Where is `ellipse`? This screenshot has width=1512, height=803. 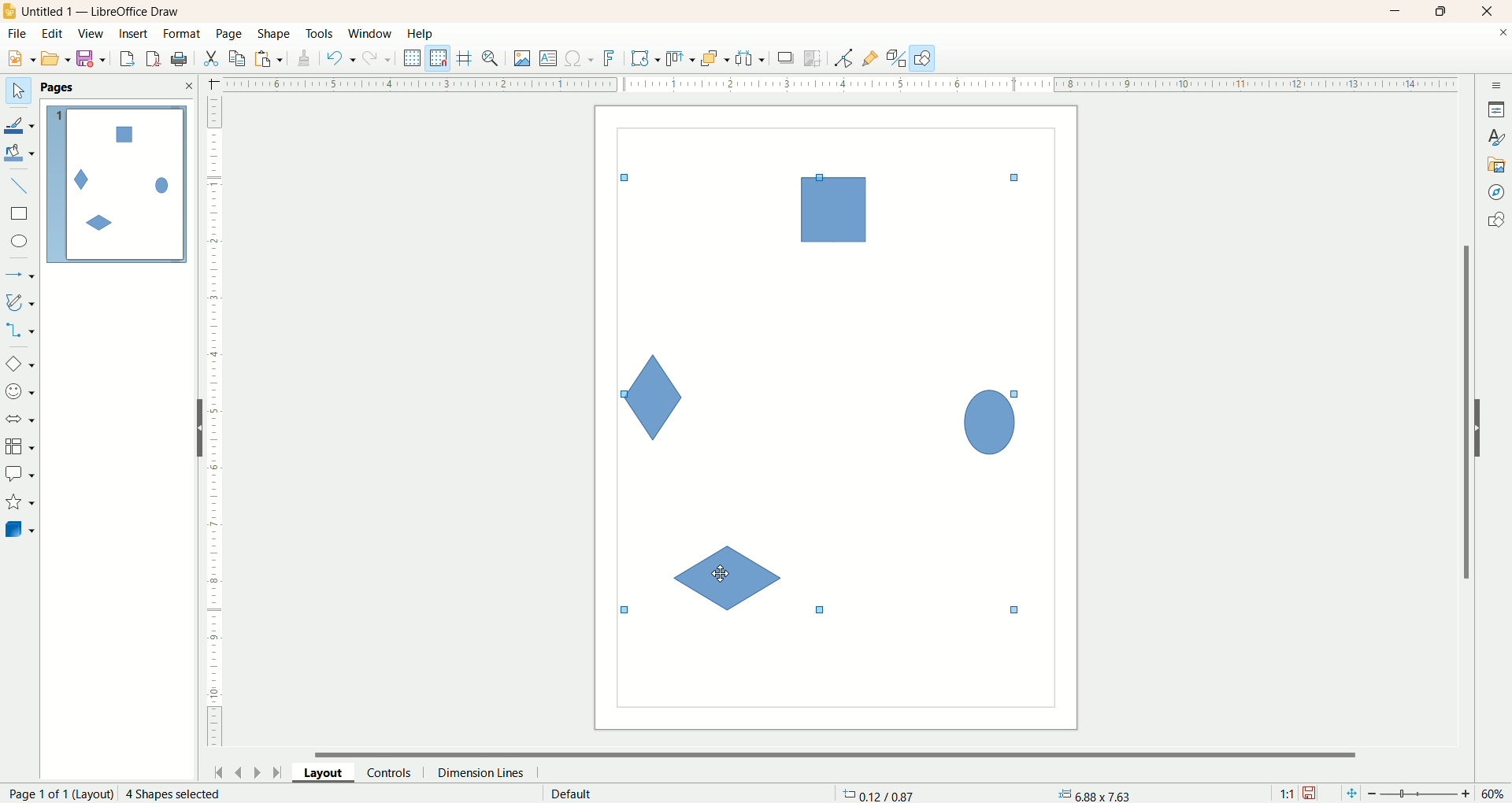
ellipse is located at coordinates (21, 243).